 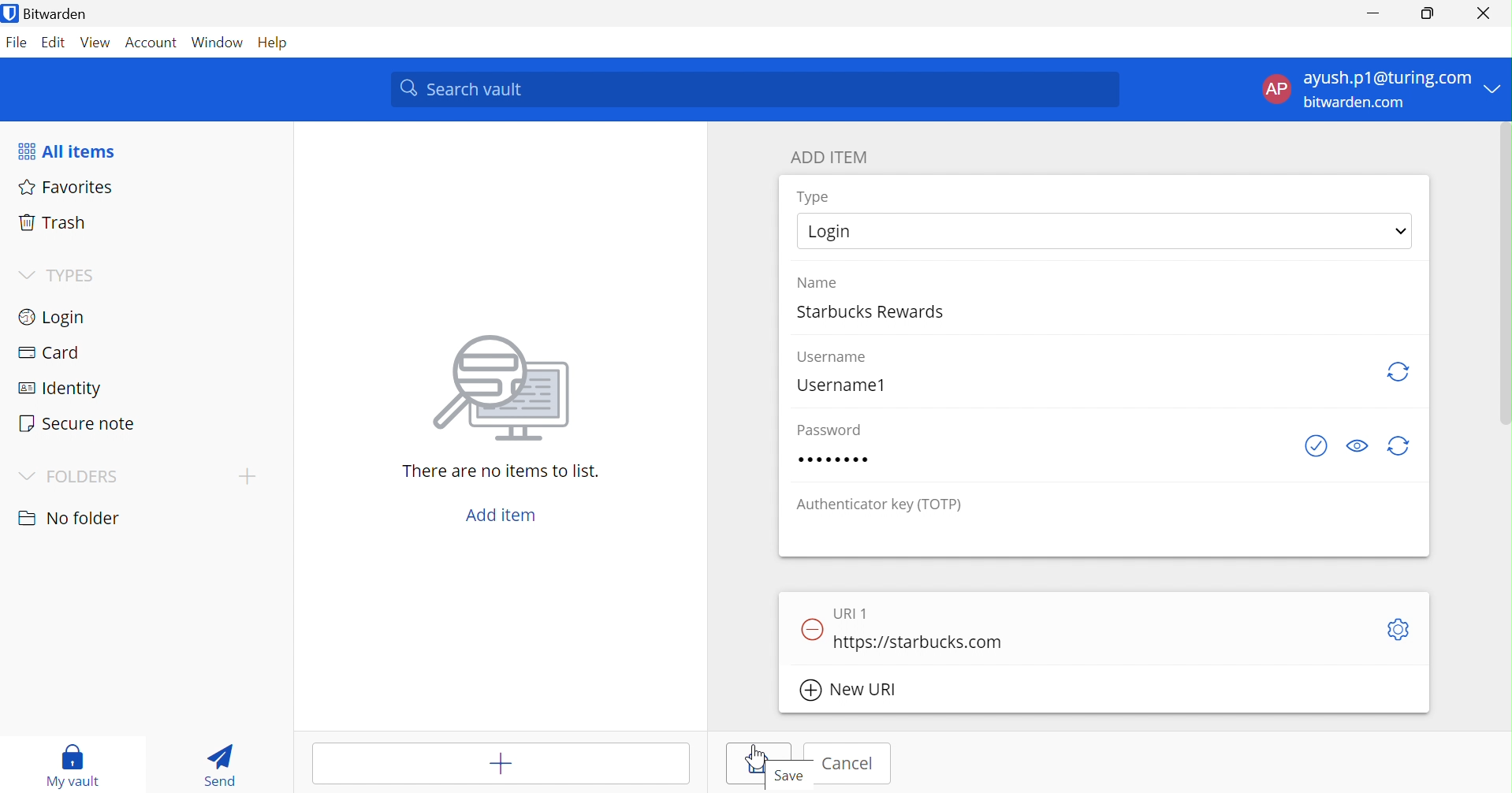 I want to click on https://starbucks.com, so click(x=920, y=640).